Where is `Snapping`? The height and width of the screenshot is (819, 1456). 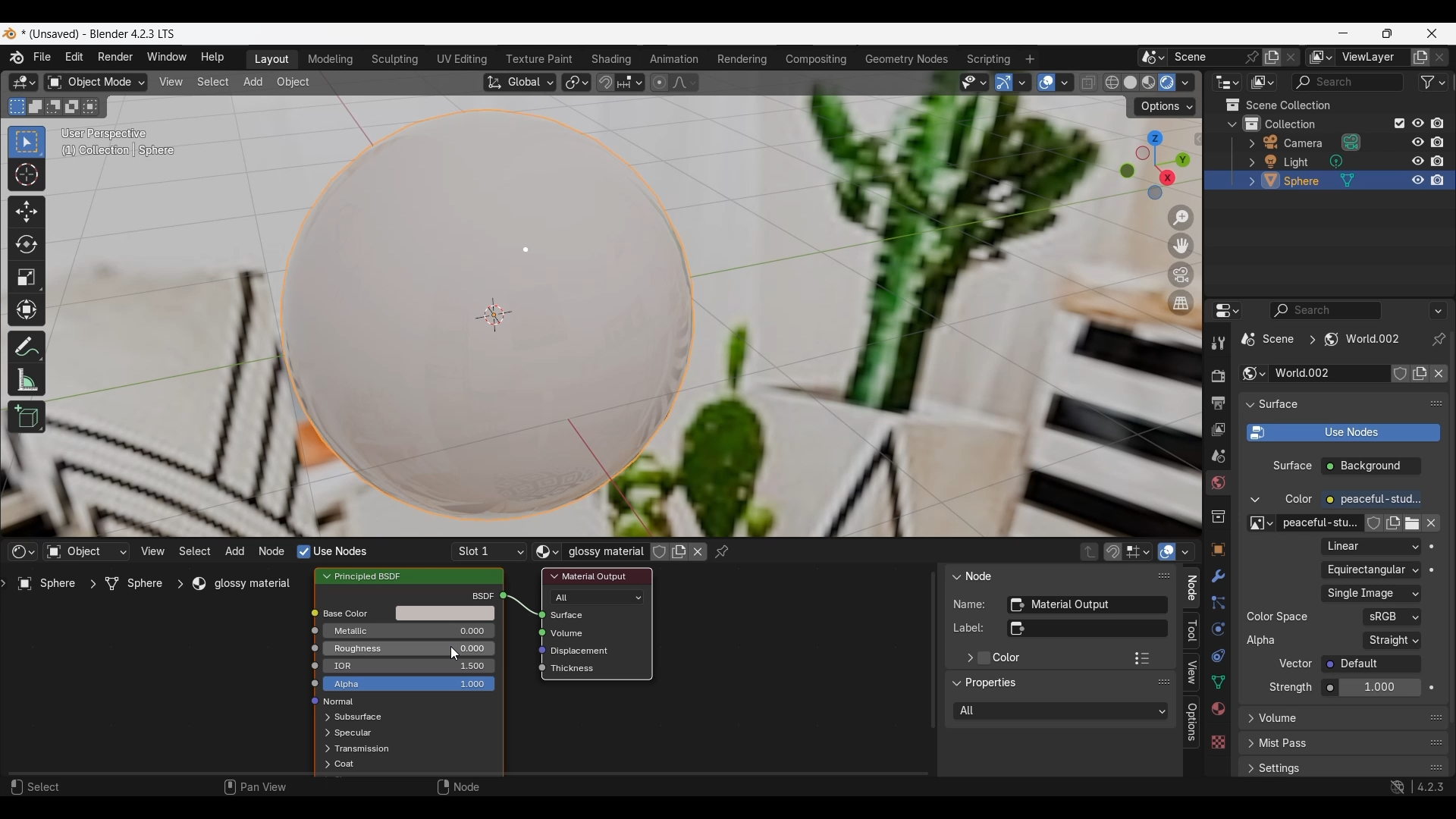
Snapping is located at coordinates (629, 82).